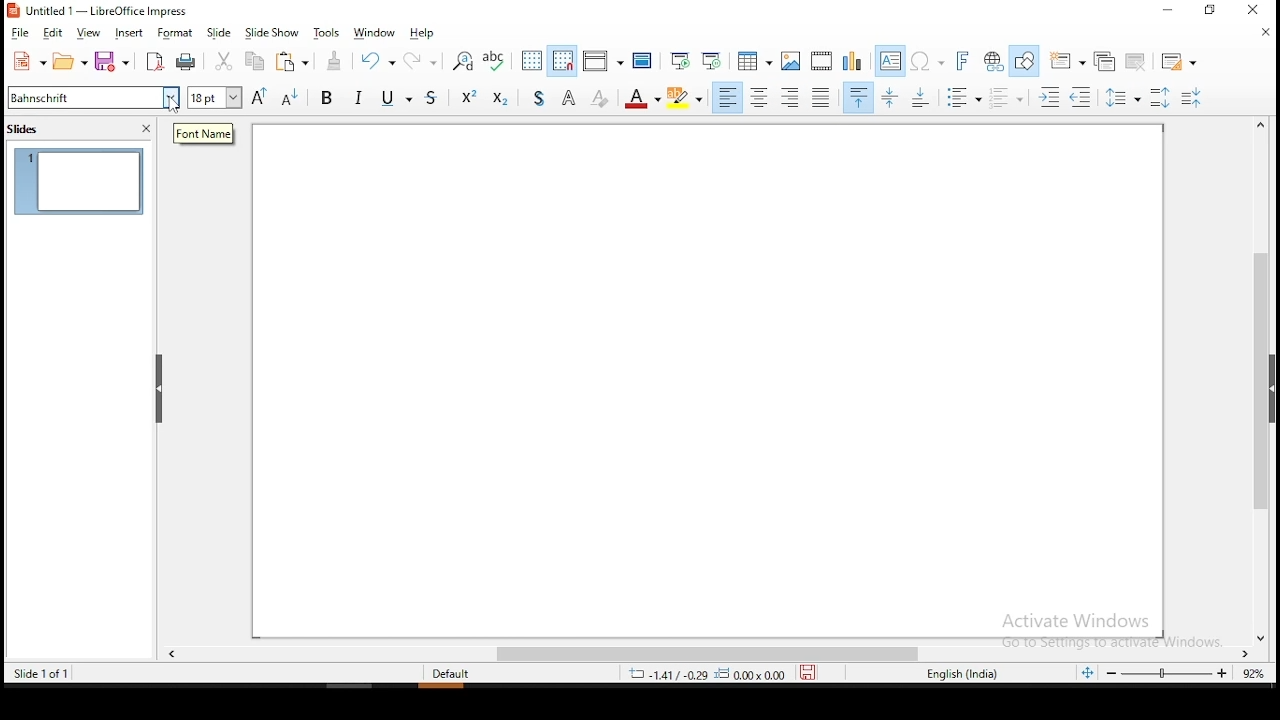 Image resolution: width=1280 pixels, height=720 pixels. I want to click on justified, so click(819, 97).